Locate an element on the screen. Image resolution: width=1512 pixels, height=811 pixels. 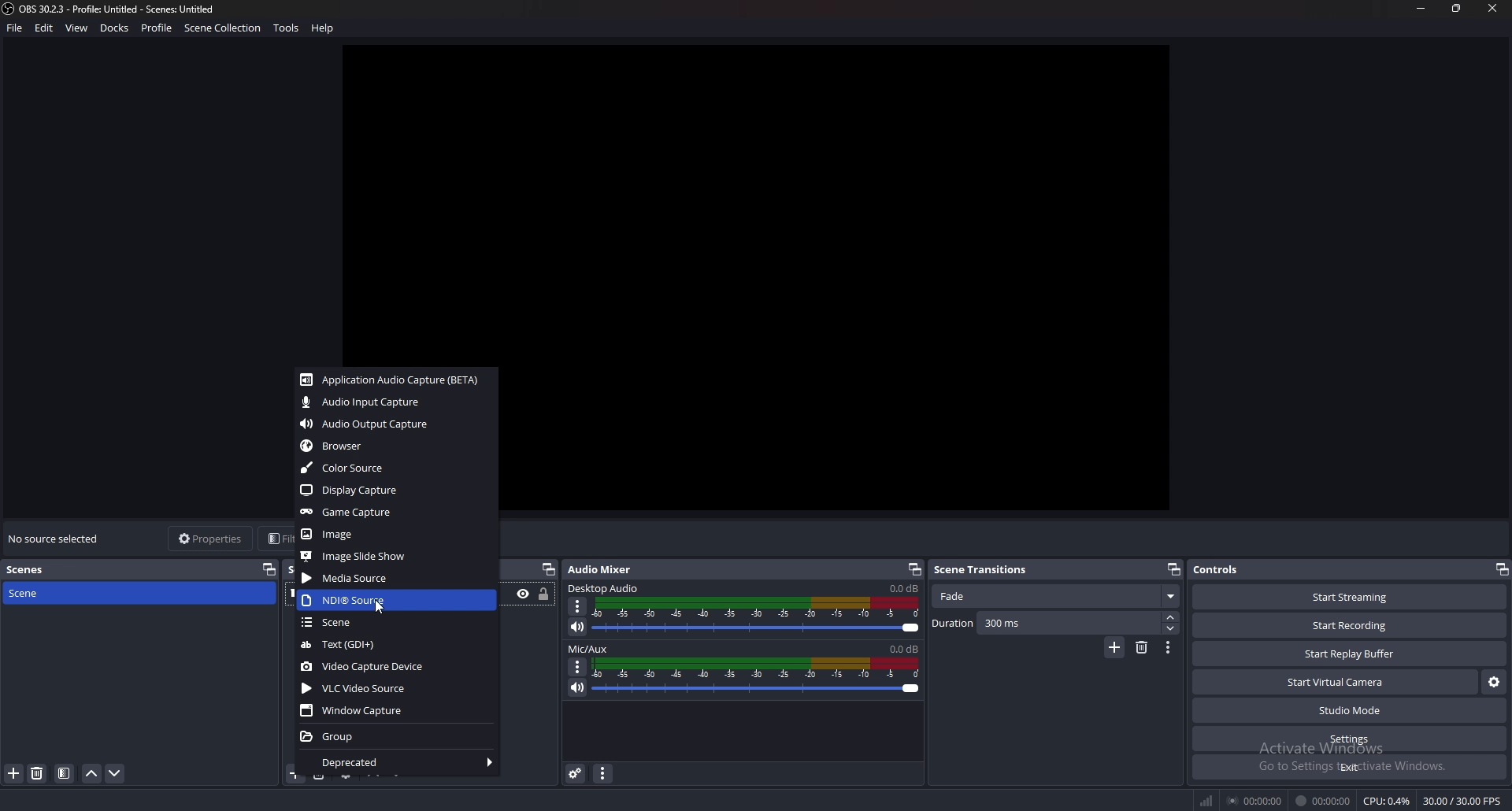
tools is located at coordinates (287, 28).